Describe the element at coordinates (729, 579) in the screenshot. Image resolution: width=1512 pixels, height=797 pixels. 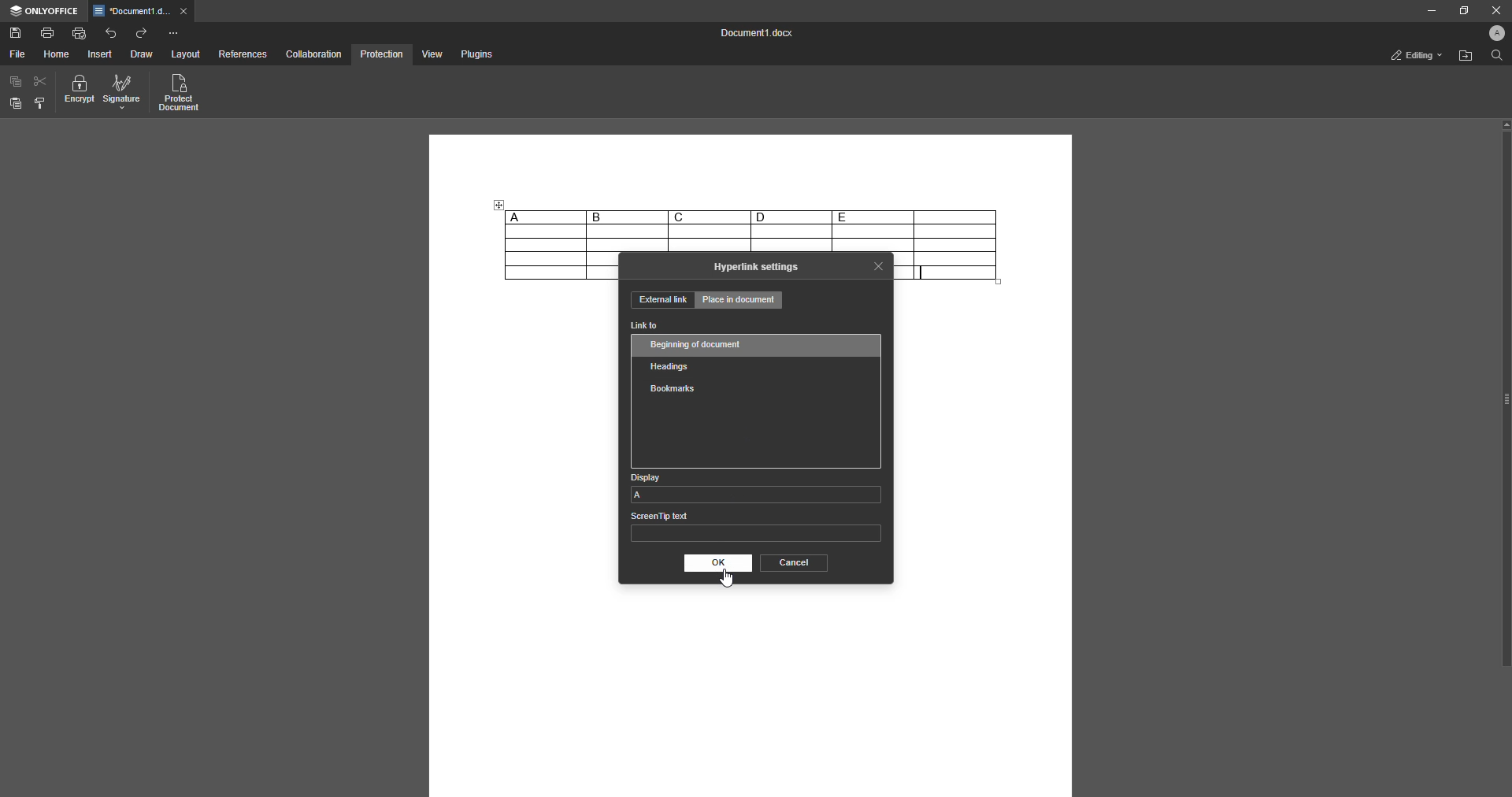
I see `Cursor` at that location.